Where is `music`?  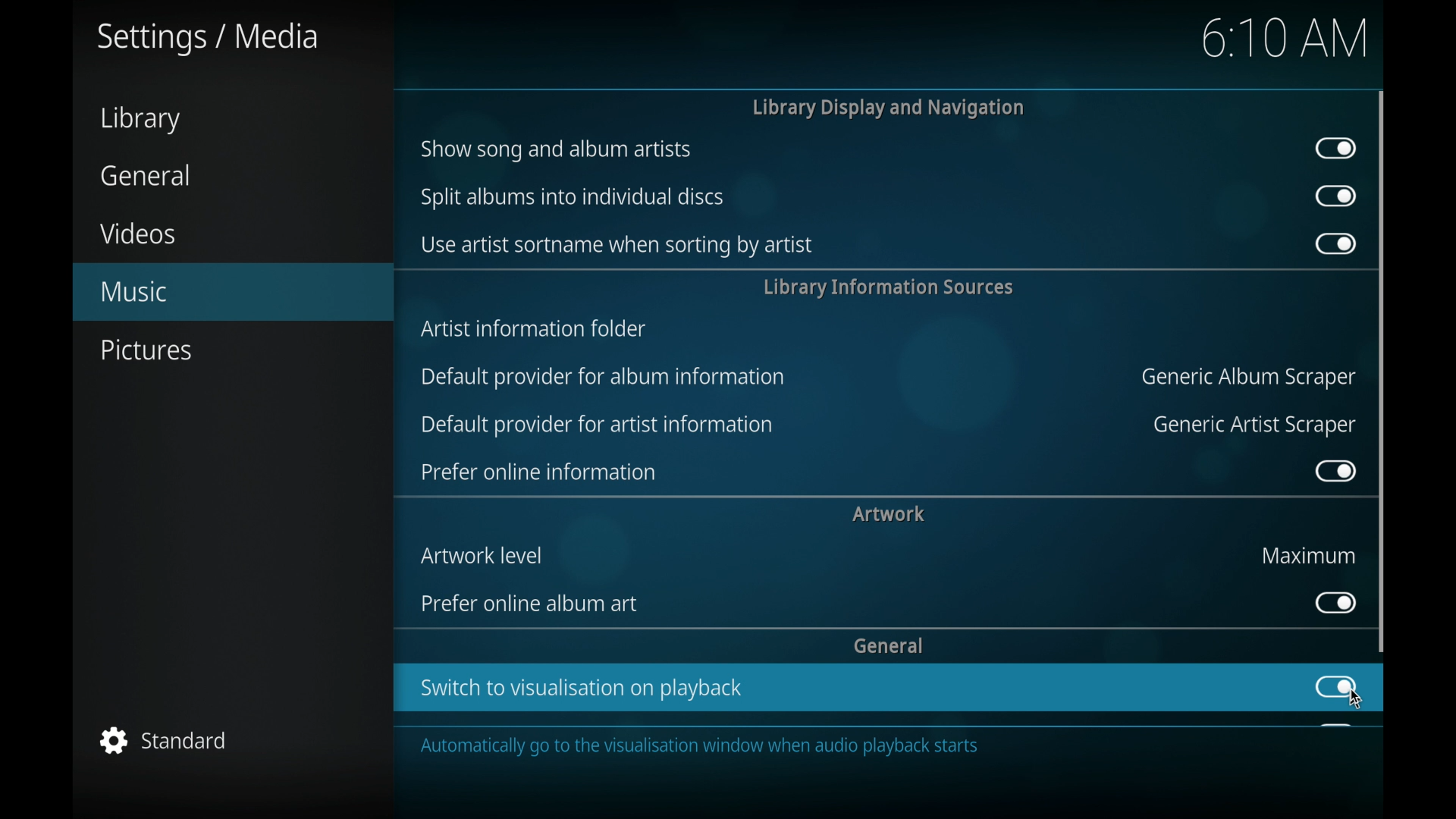 music is located at coordinates (233, 292).